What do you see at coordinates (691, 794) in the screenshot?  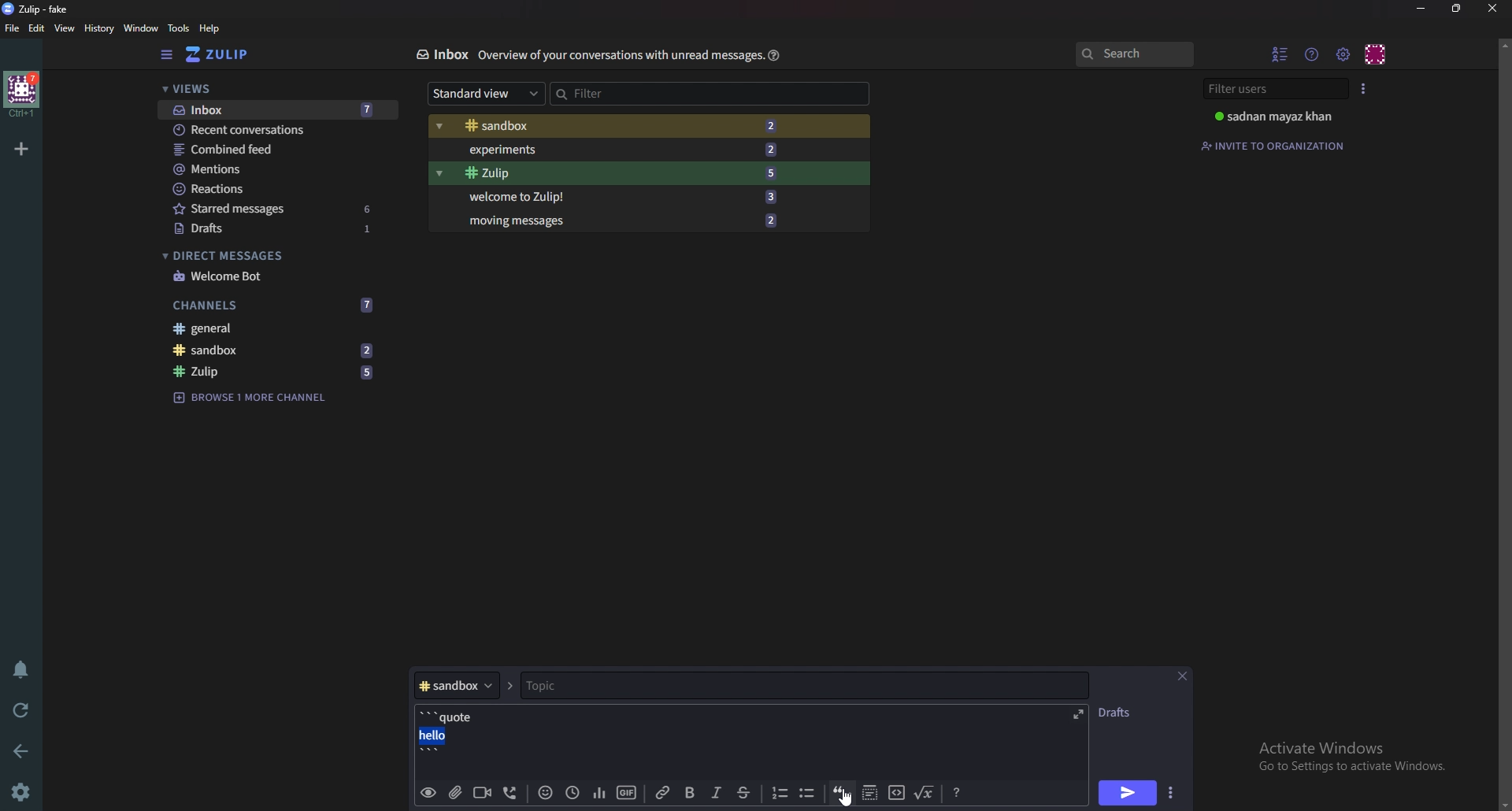 I see `bold` at bounding box center [691, 794].